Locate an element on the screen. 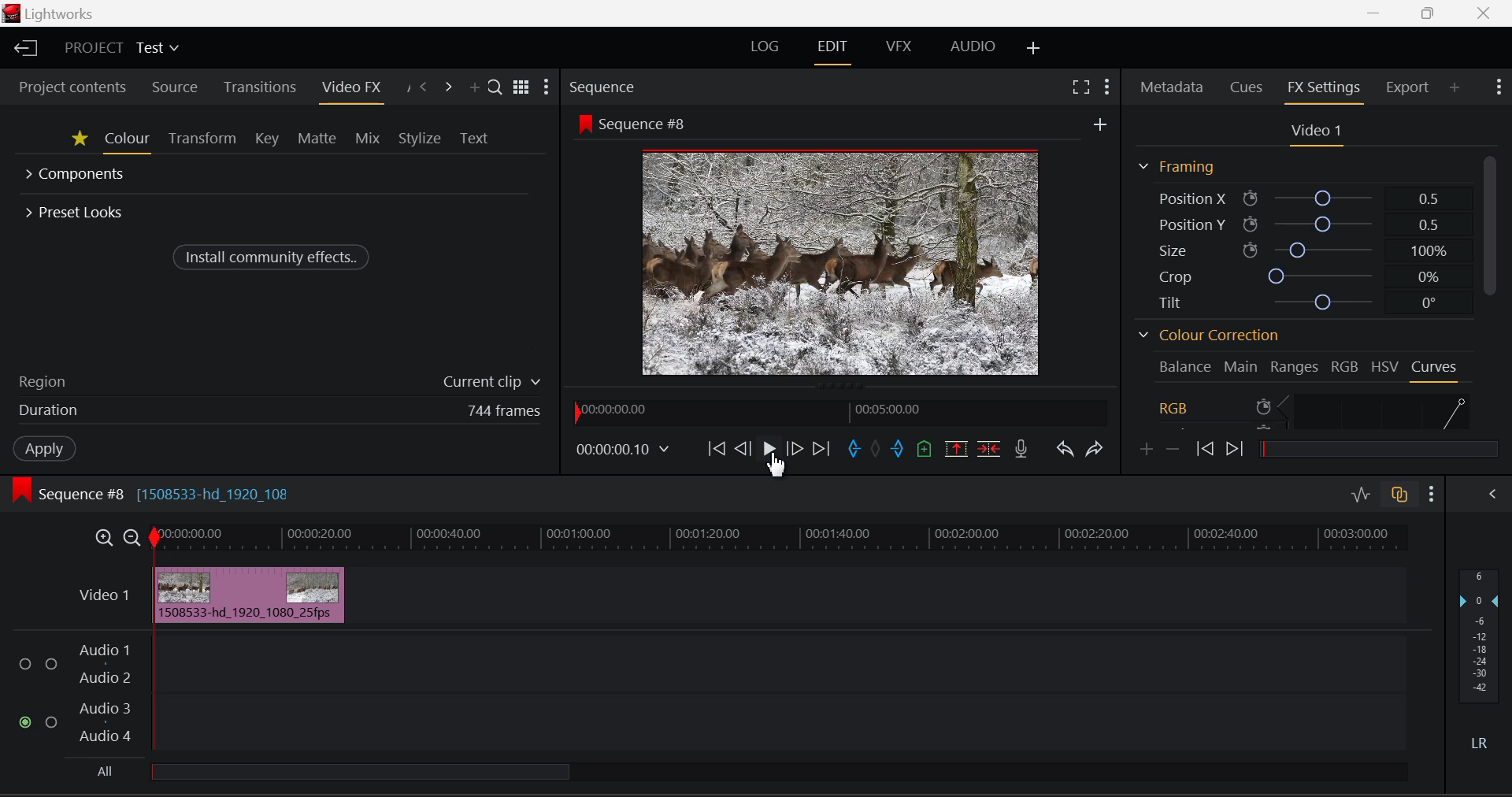 The image size is (1512, 797). Mix is located at coordinates (369, 139).